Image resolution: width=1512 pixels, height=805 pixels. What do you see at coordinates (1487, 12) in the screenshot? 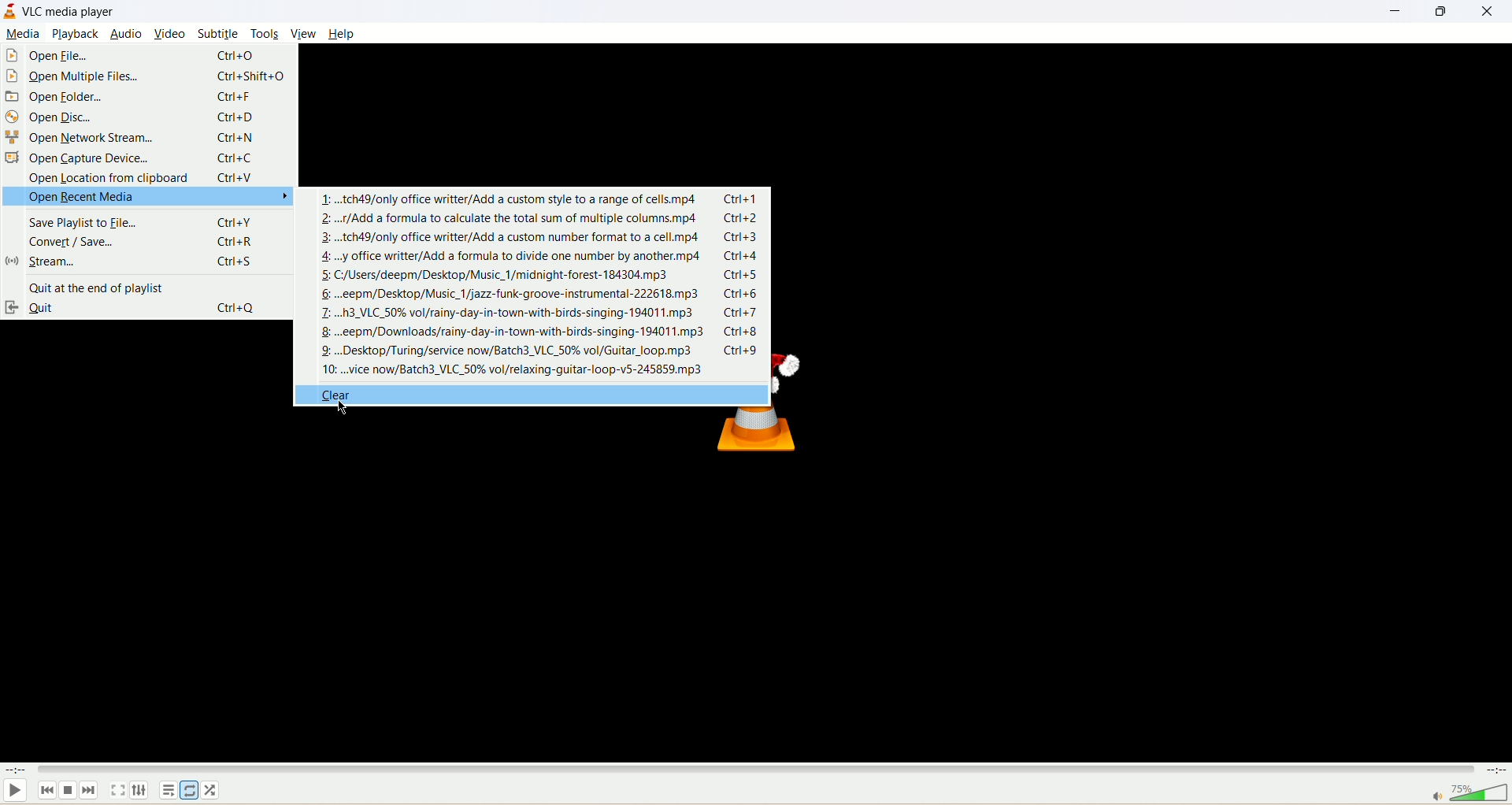
I see `close` at bounding box center [1487, 12].